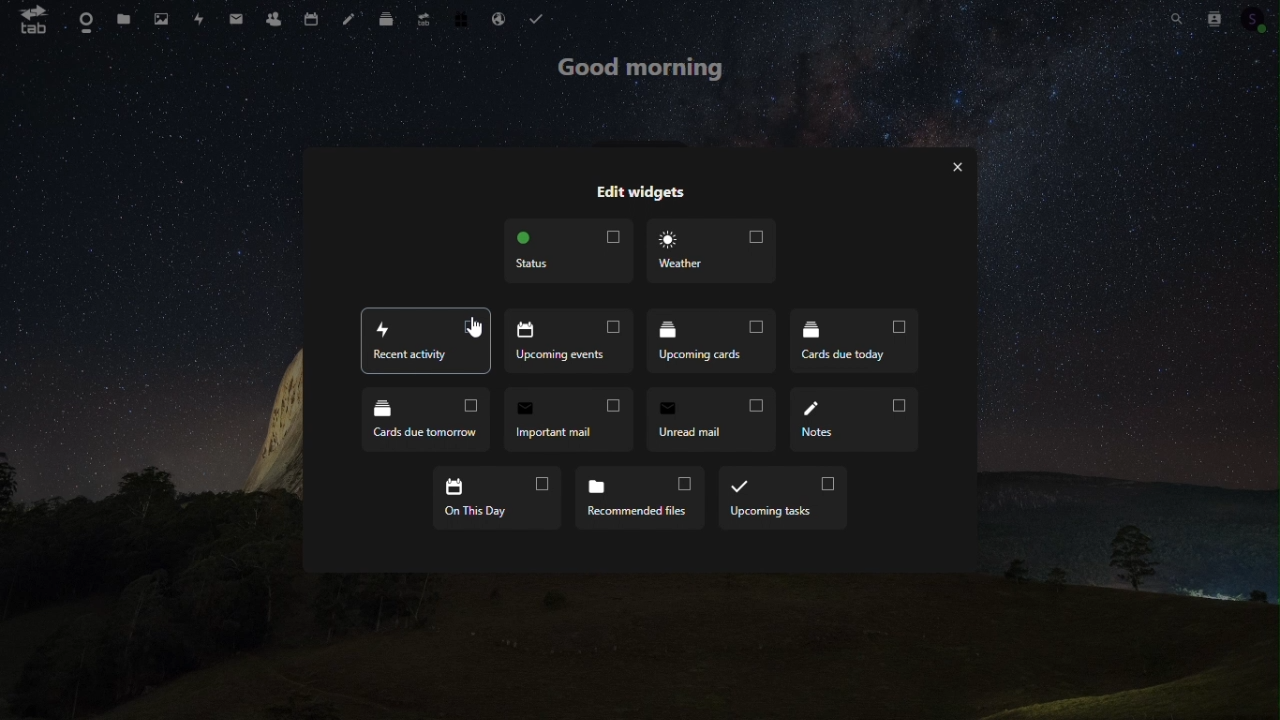  I want to click on Search, so click(1178, 19).